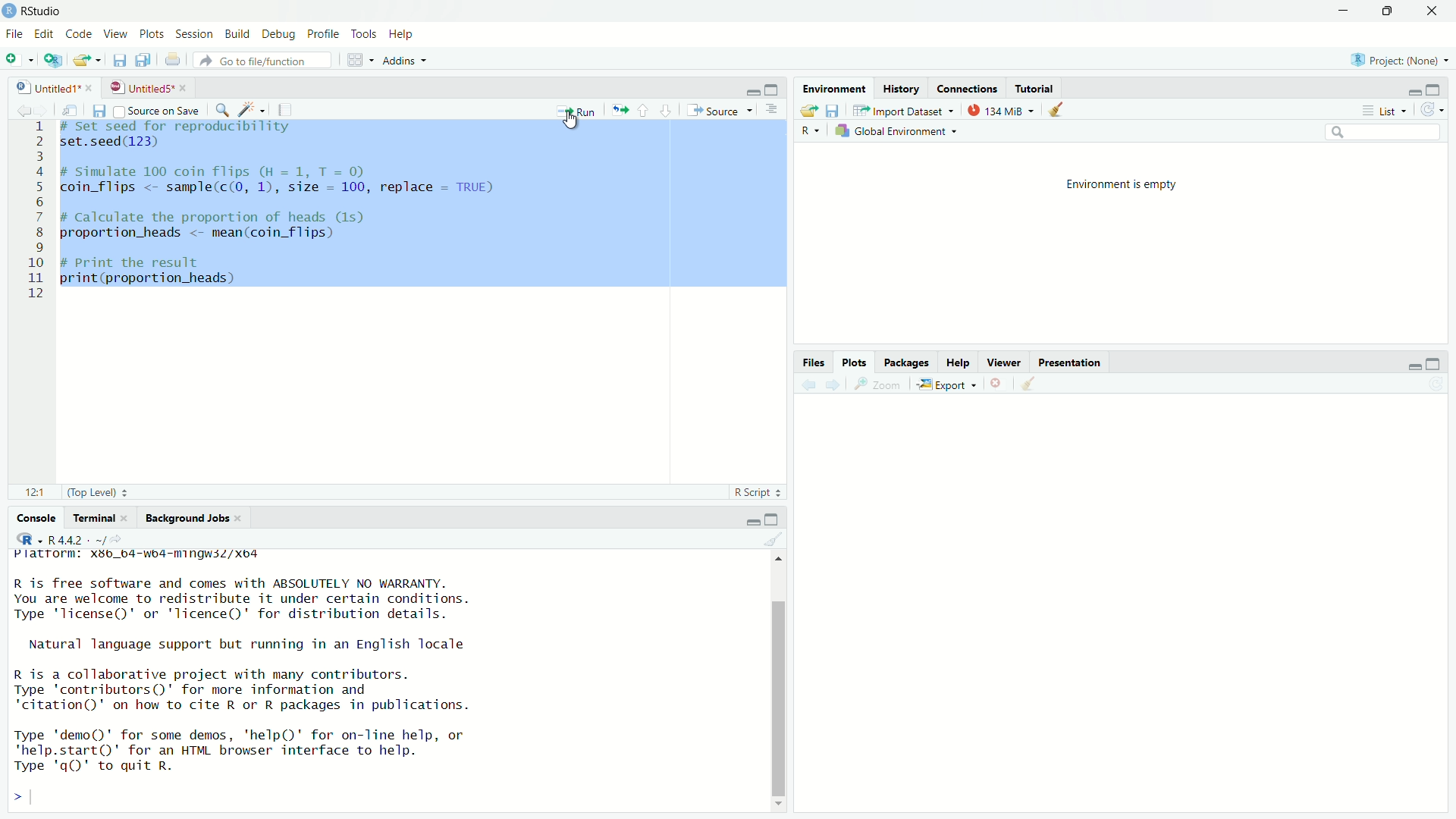 This screenshot has height=819, width=1456. I want to click on untitled1, so click(40, 86).